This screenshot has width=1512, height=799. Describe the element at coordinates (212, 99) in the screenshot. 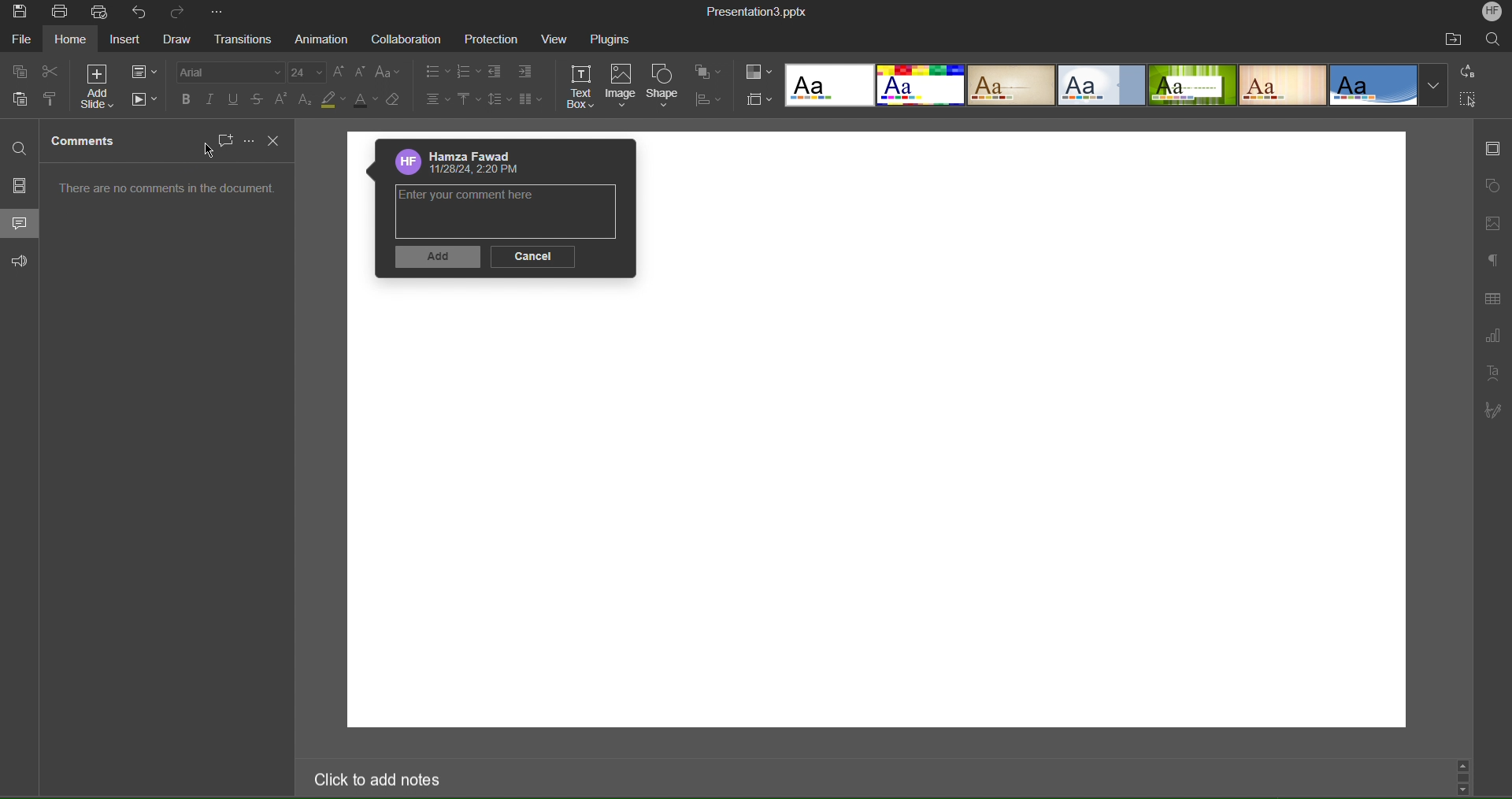

I see `Italics` at that location.